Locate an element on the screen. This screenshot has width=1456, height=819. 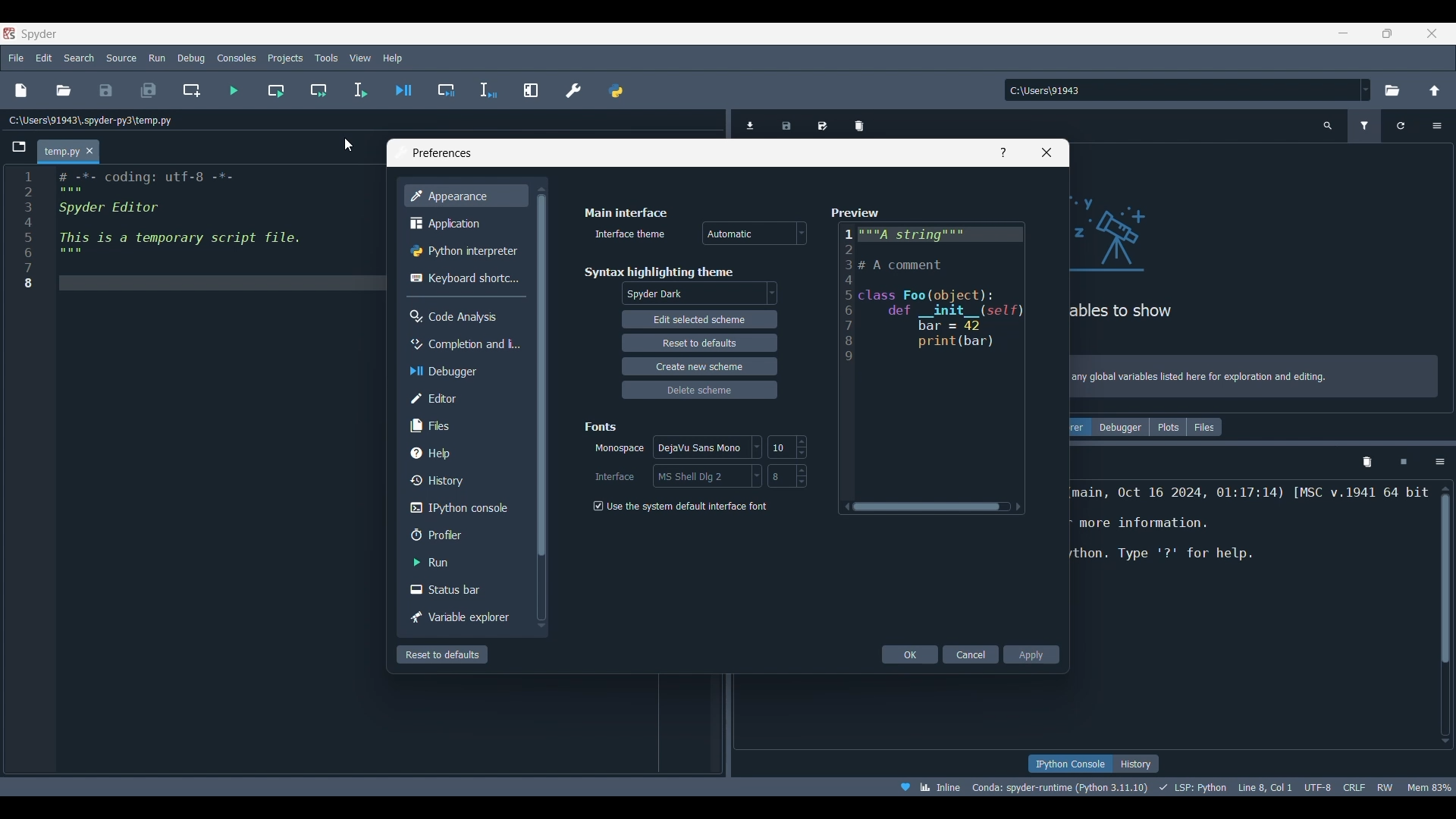
Current code is located at coordinates (194, 234).